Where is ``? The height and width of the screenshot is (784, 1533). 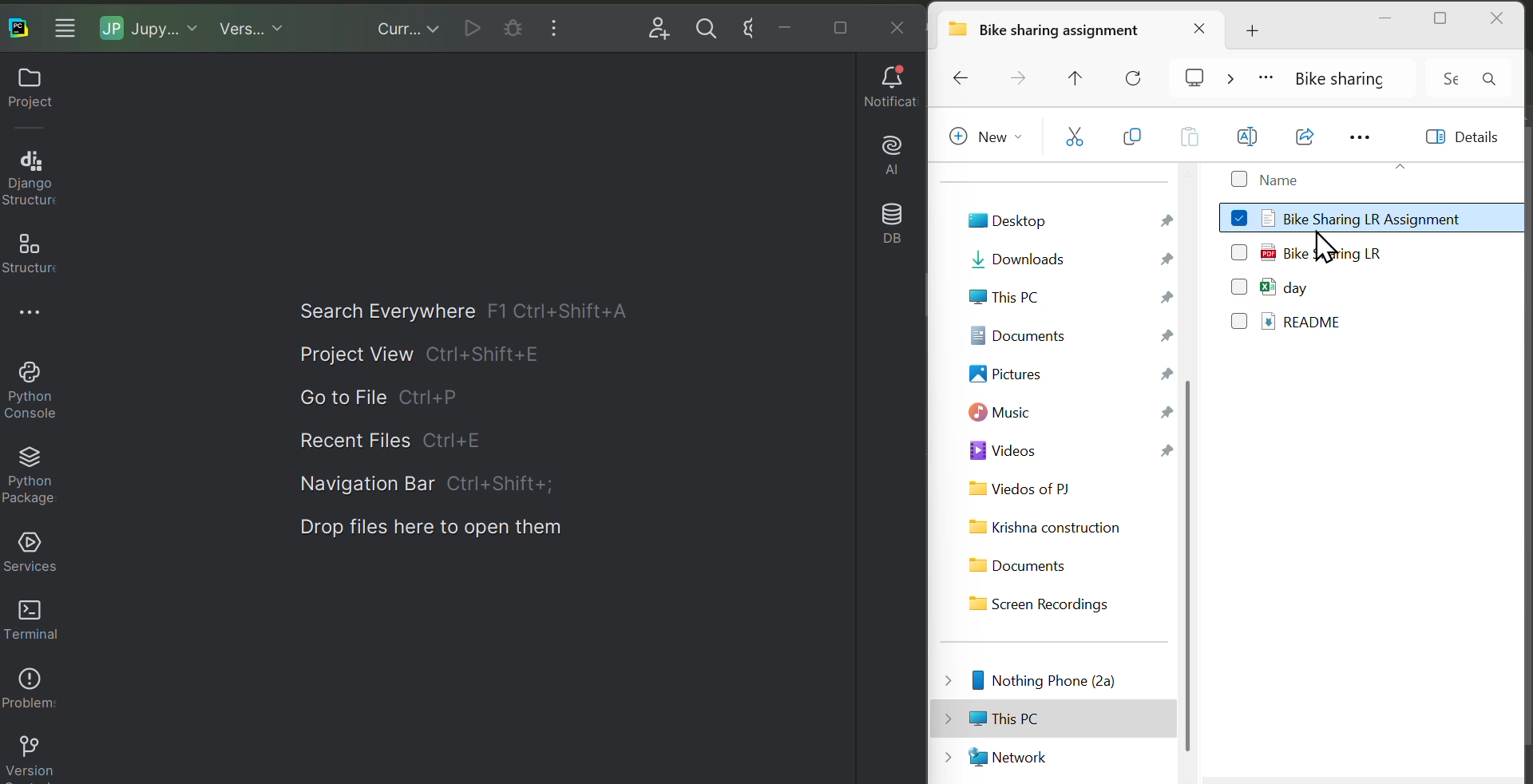  is located at coordinates (1448, 78).